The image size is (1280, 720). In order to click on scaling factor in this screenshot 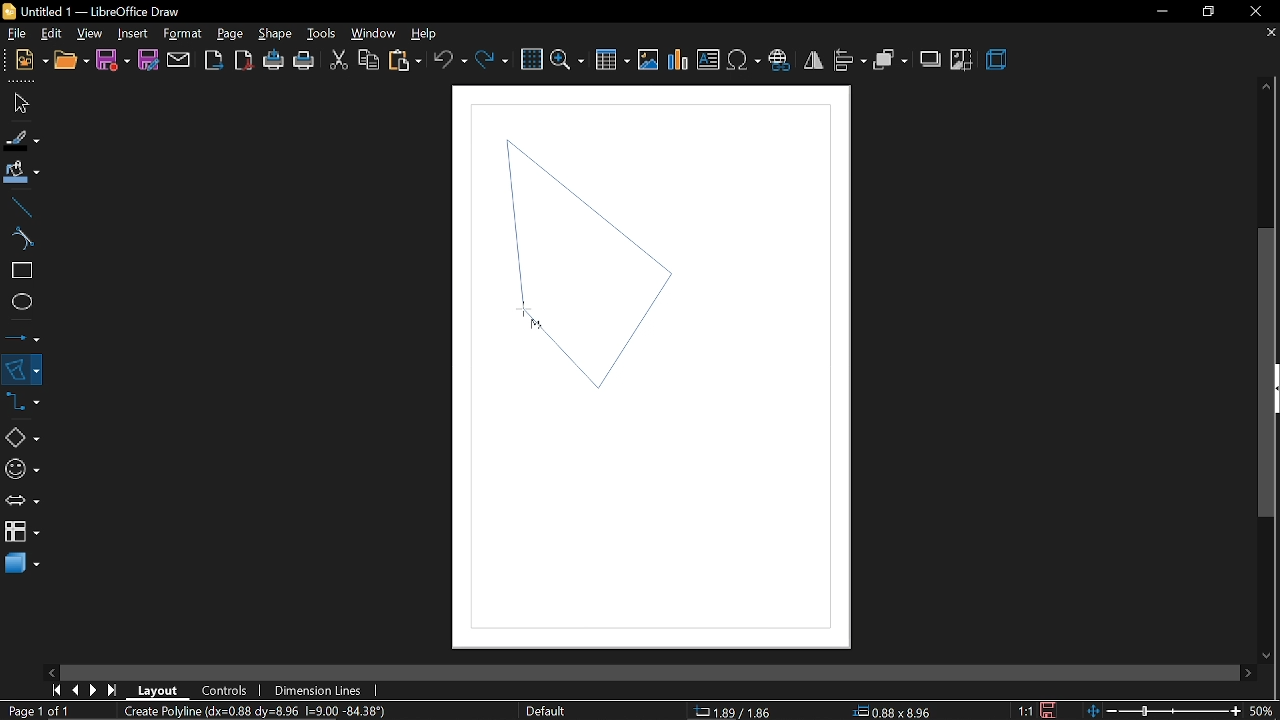, I will do `click(1030, 710)`.